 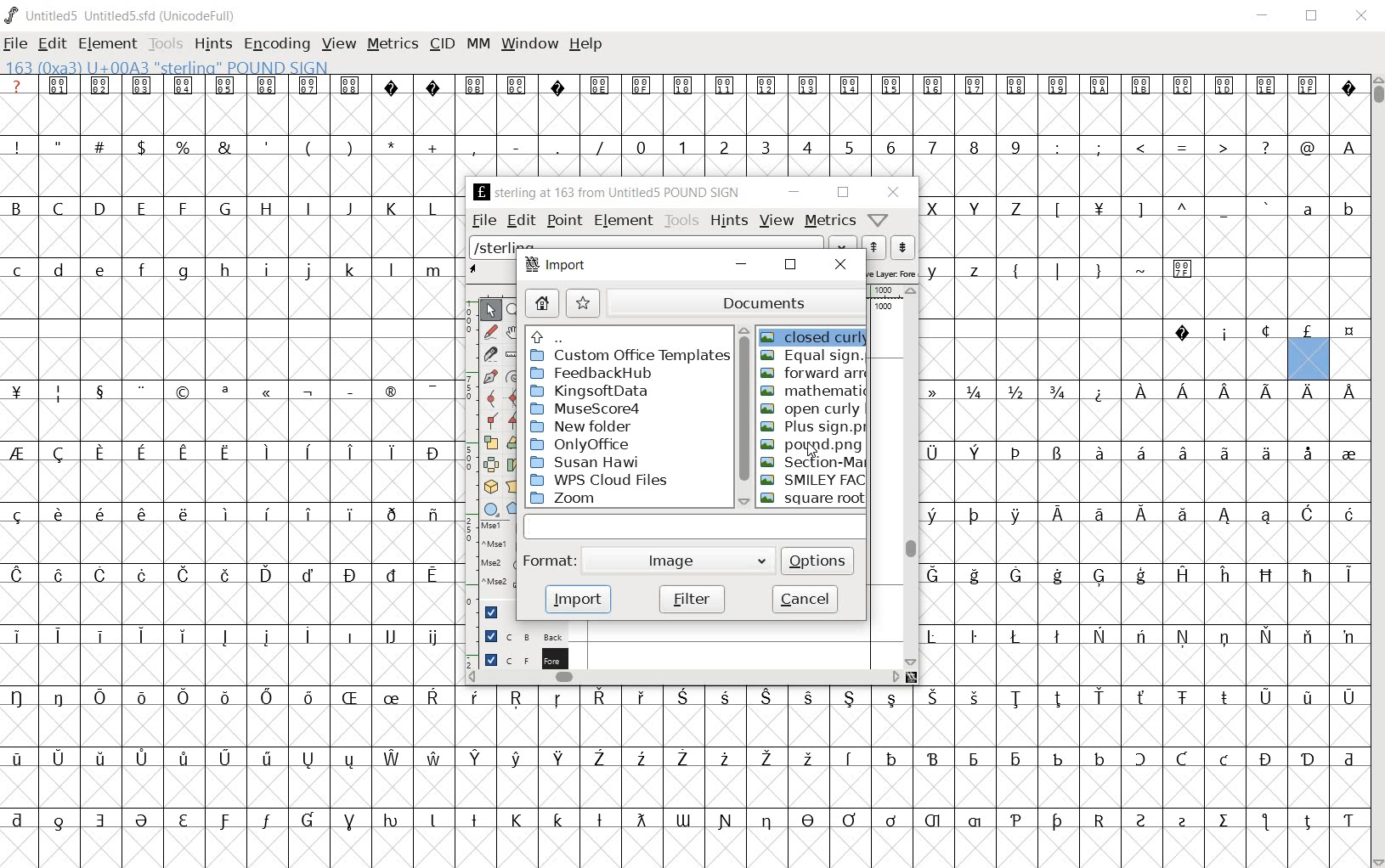 I want to click on Symbol, so click(x=102, y=86).